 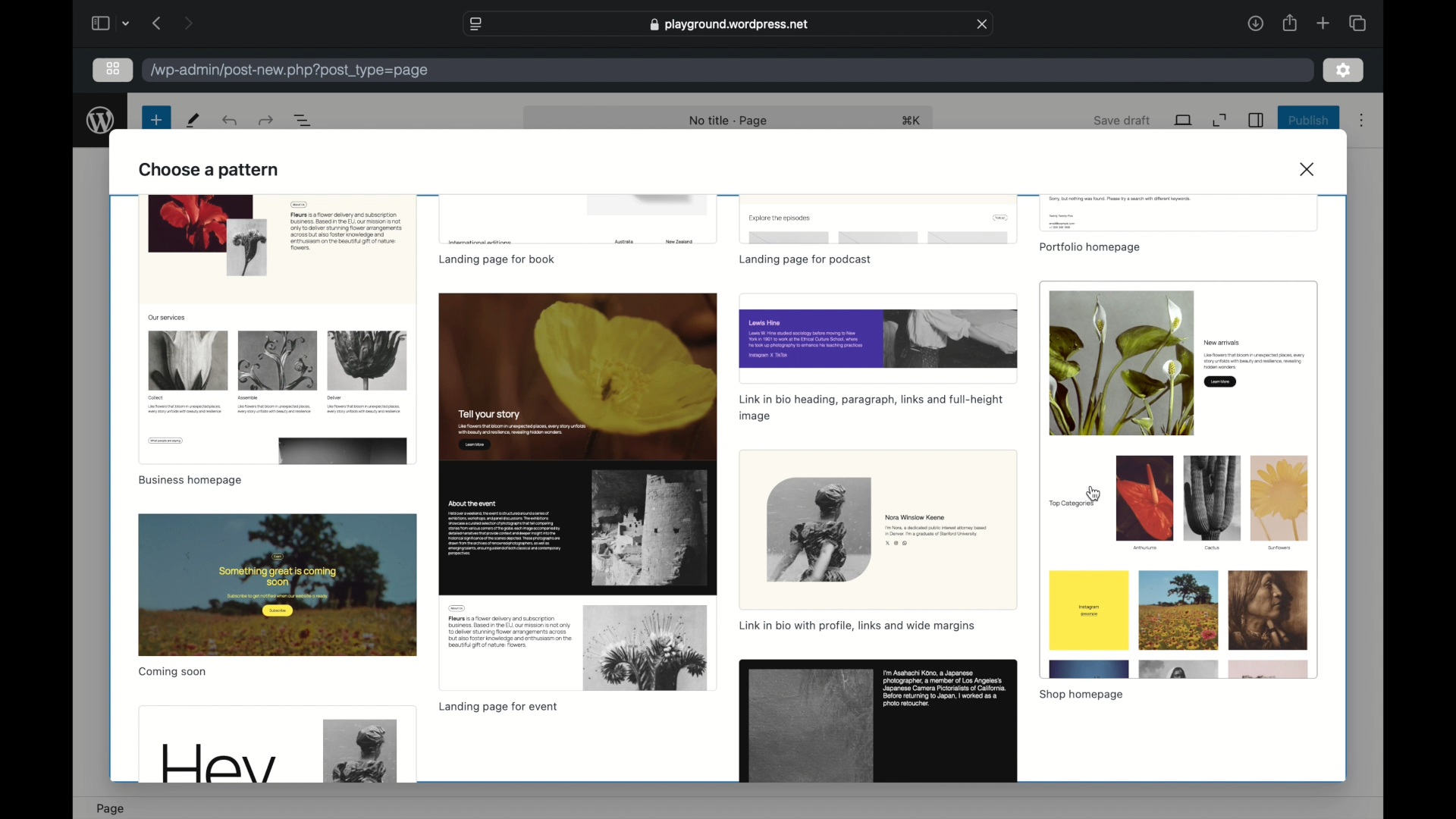 What do you see at coordinates (1344, 71) in the screenshot?
I see `settings` at bounding box center [1344, 71].